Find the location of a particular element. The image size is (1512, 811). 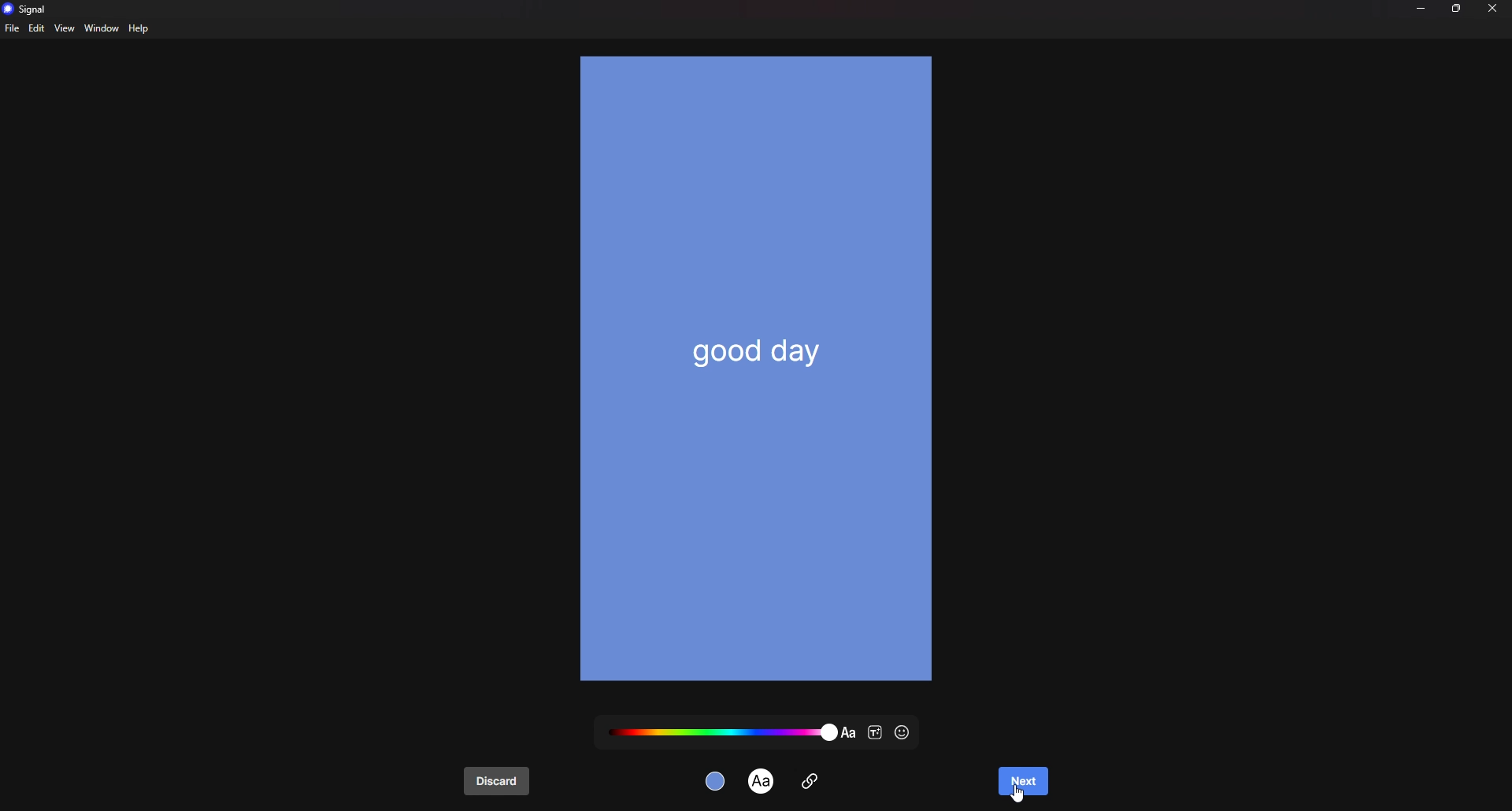

emoji is located at coordinates (904, 733).